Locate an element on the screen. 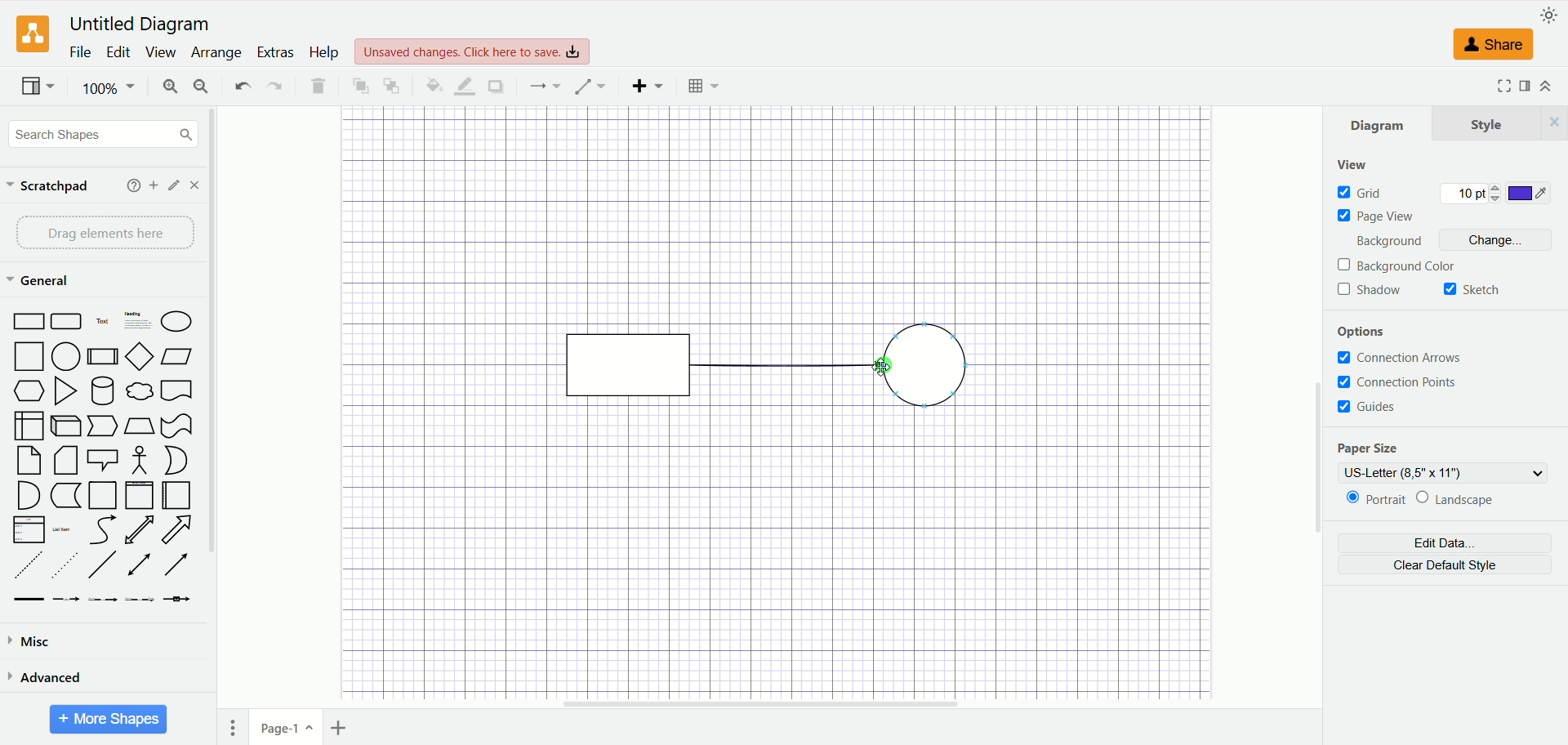 This screenshot has height=745, width=1568. color is located at coordinates (1527, 191).